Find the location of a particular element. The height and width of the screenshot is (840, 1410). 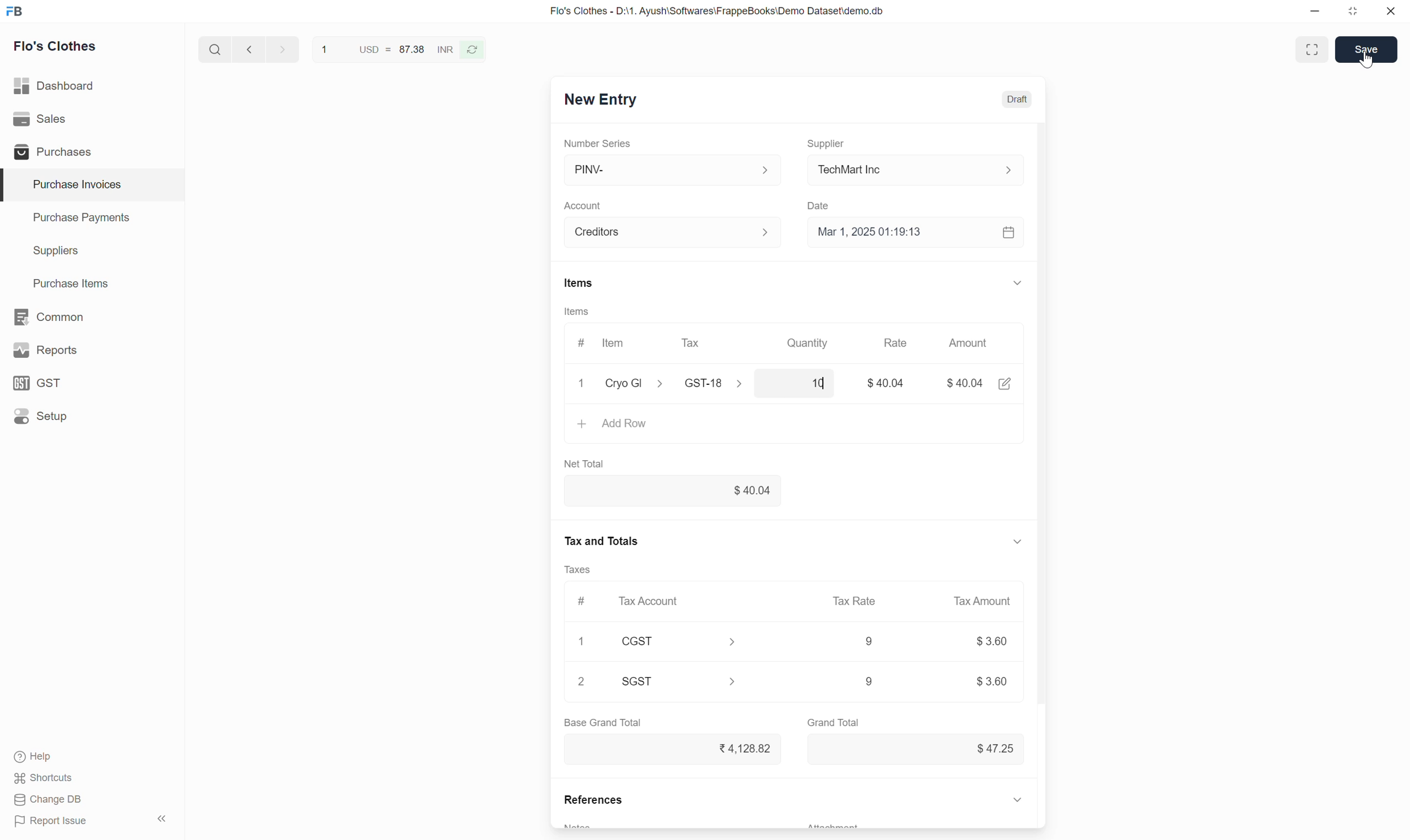

Items is located at coordinates (578, 283).